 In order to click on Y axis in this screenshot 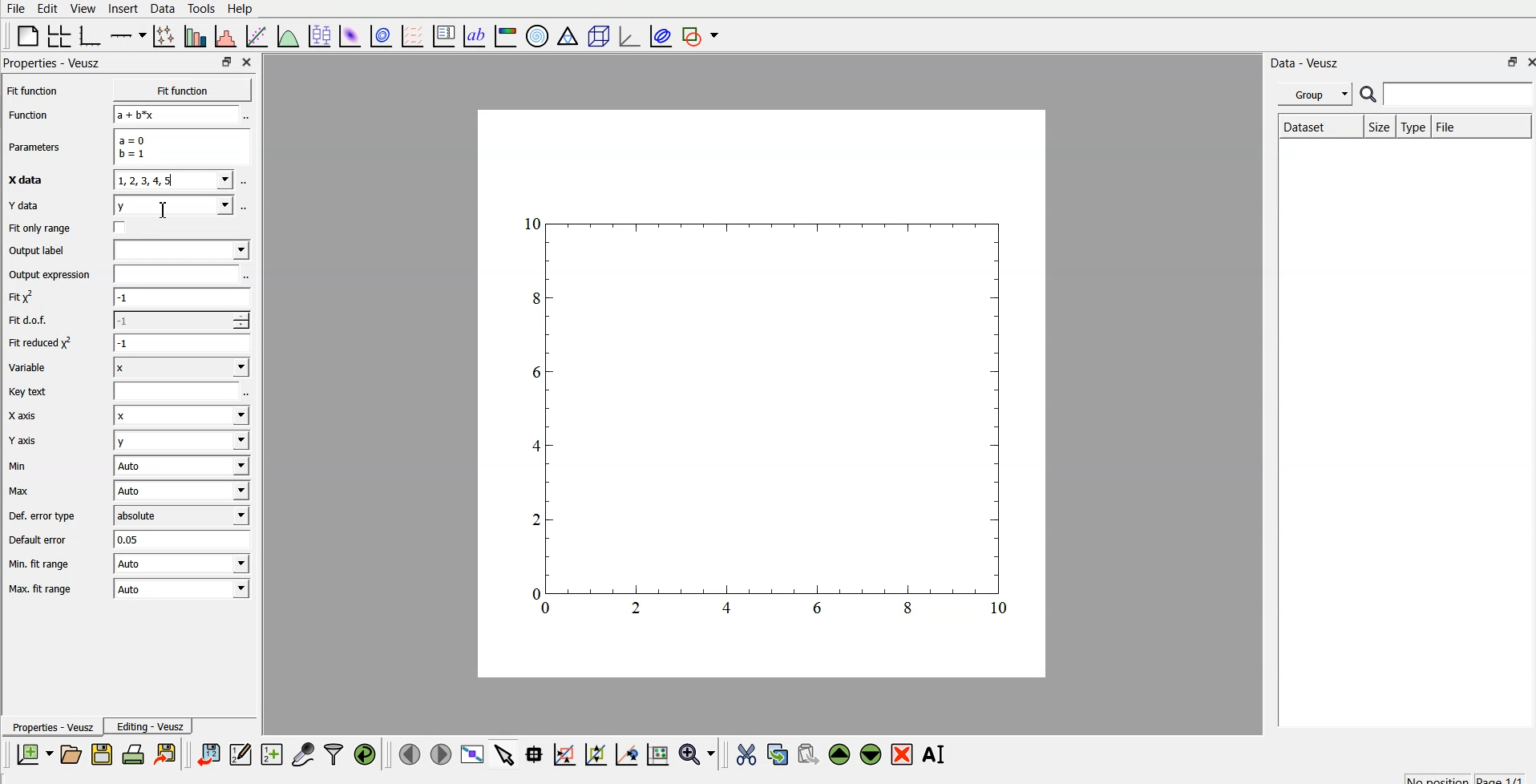, I will do `click(39, 441)`.